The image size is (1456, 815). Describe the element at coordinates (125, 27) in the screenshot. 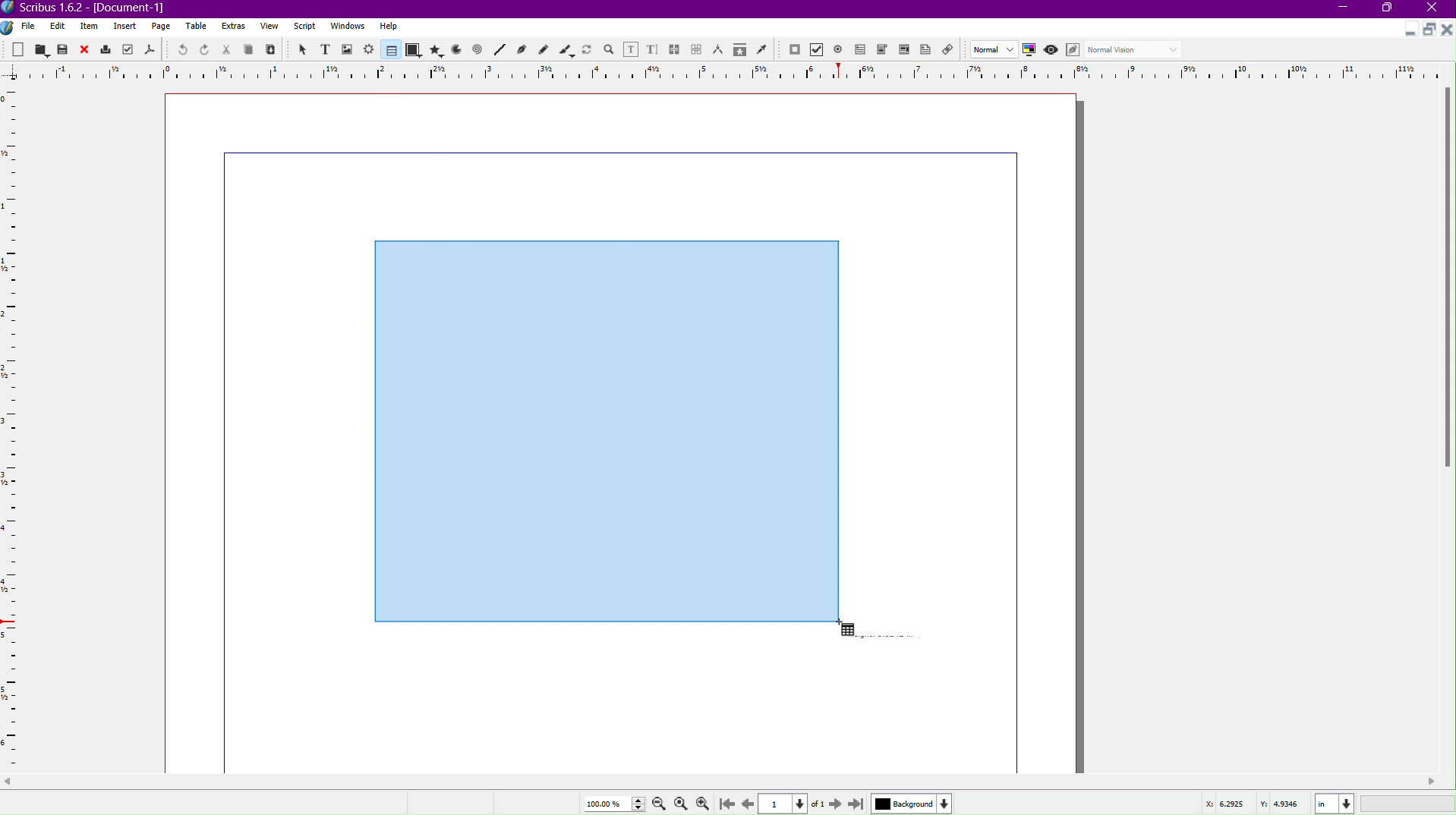

I see `Insert` at that location.